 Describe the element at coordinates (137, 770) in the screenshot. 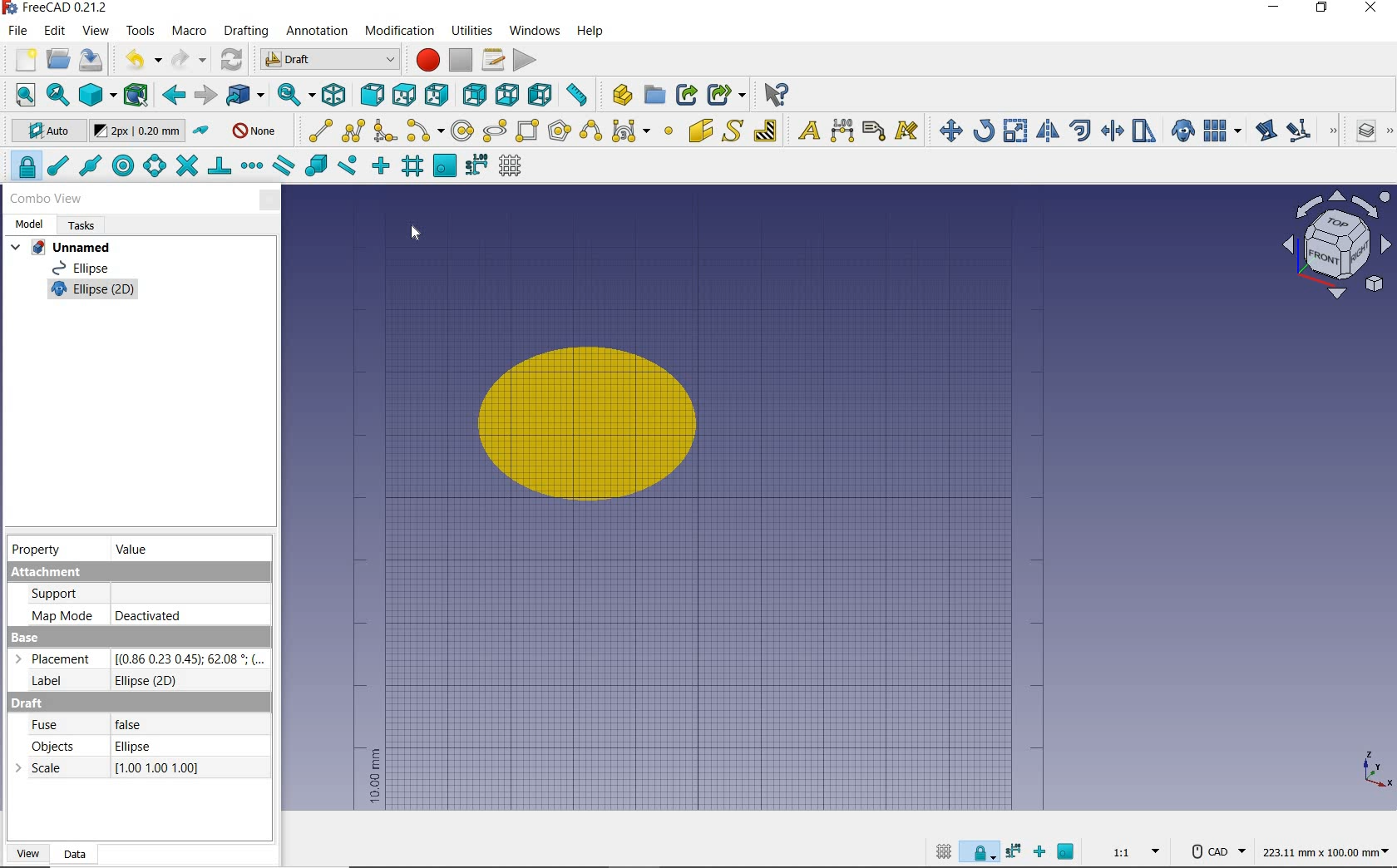

I see `draft` at that location.